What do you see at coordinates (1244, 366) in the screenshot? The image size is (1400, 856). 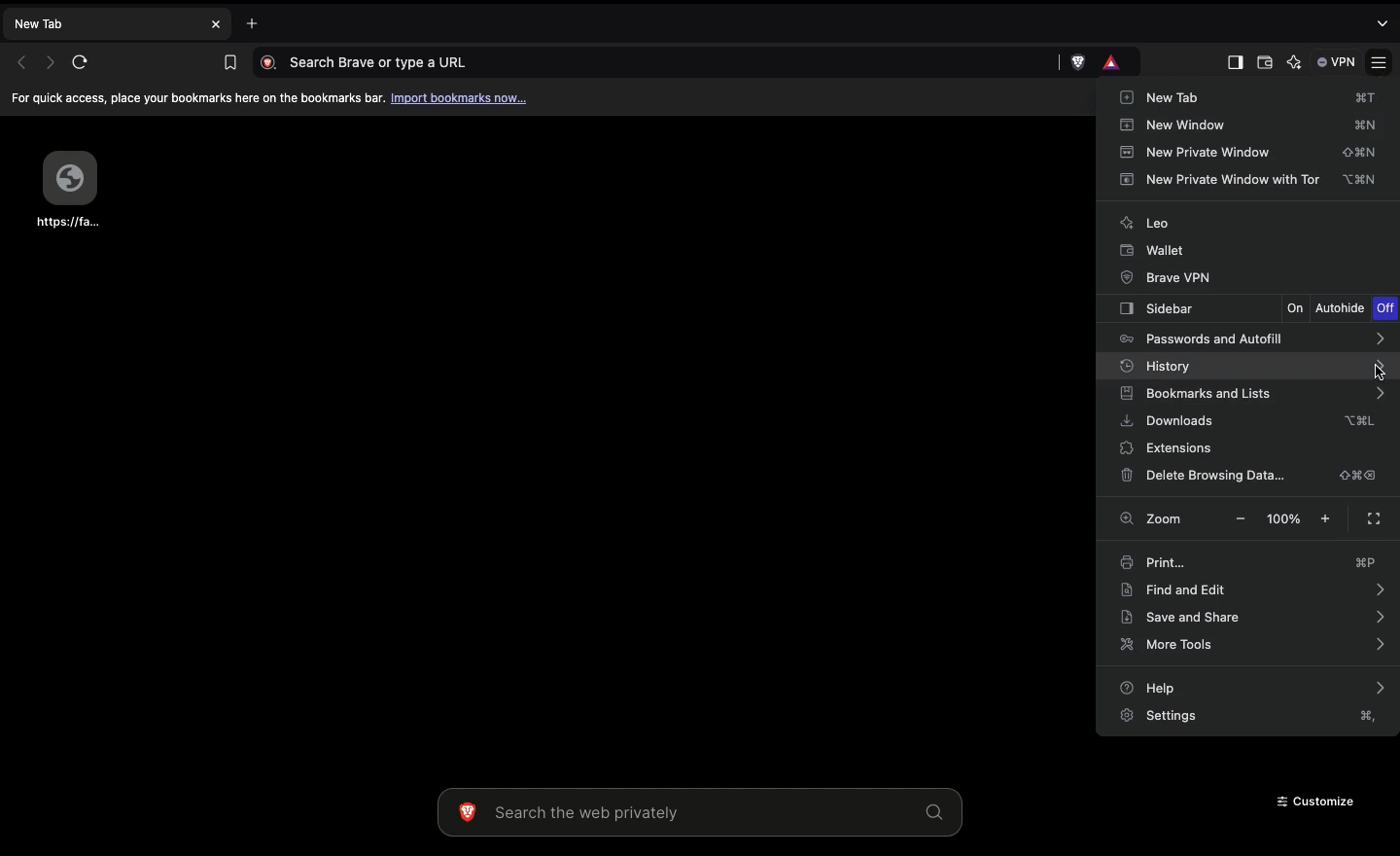 I see `History` at bounding box center [1244, 366].